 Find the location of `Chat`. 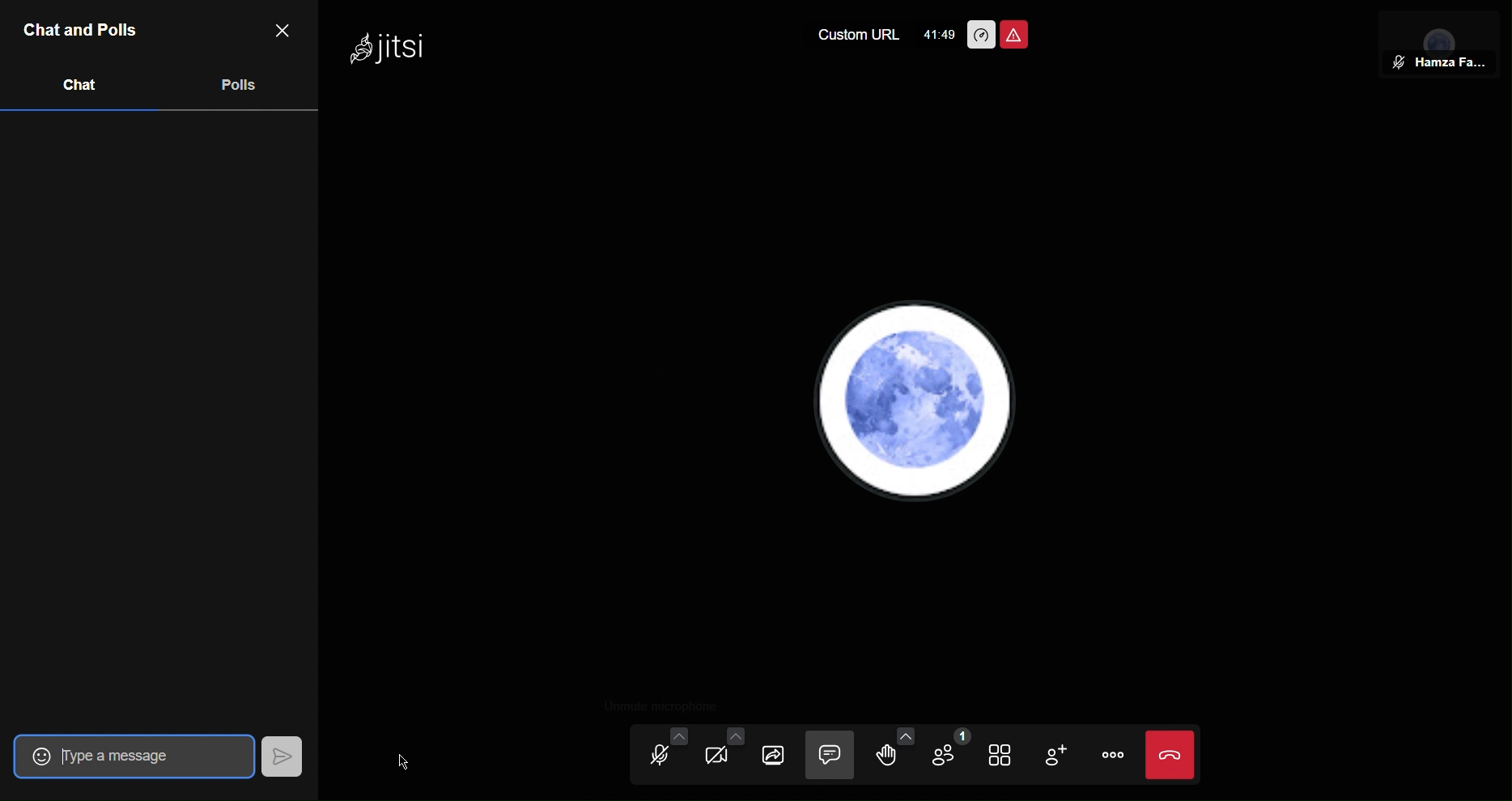

Chat is located at coordinates (79, 84).